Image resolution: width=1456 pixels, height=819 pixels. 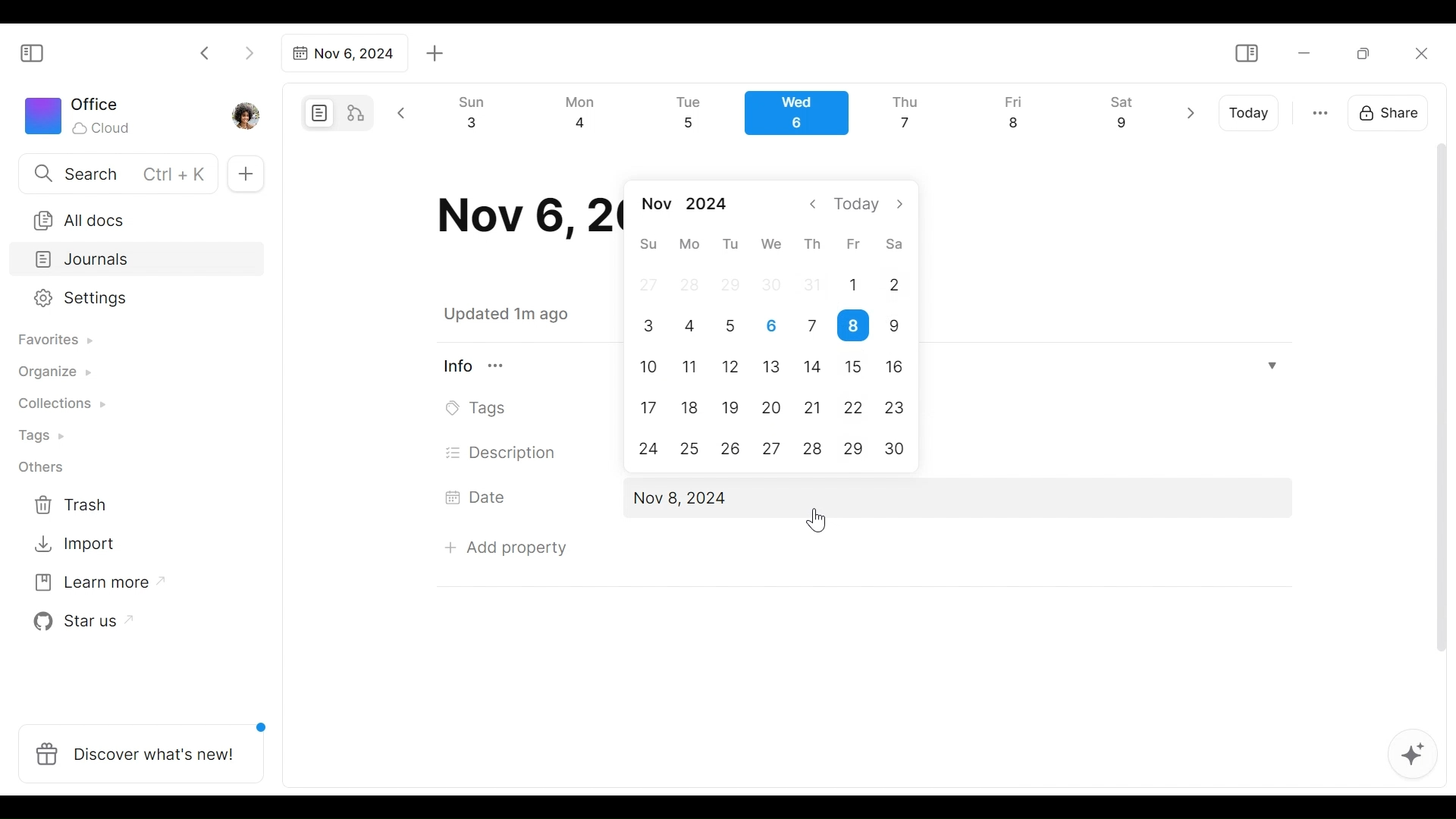 I want to click on more otions, so click(x=1320, y=111).